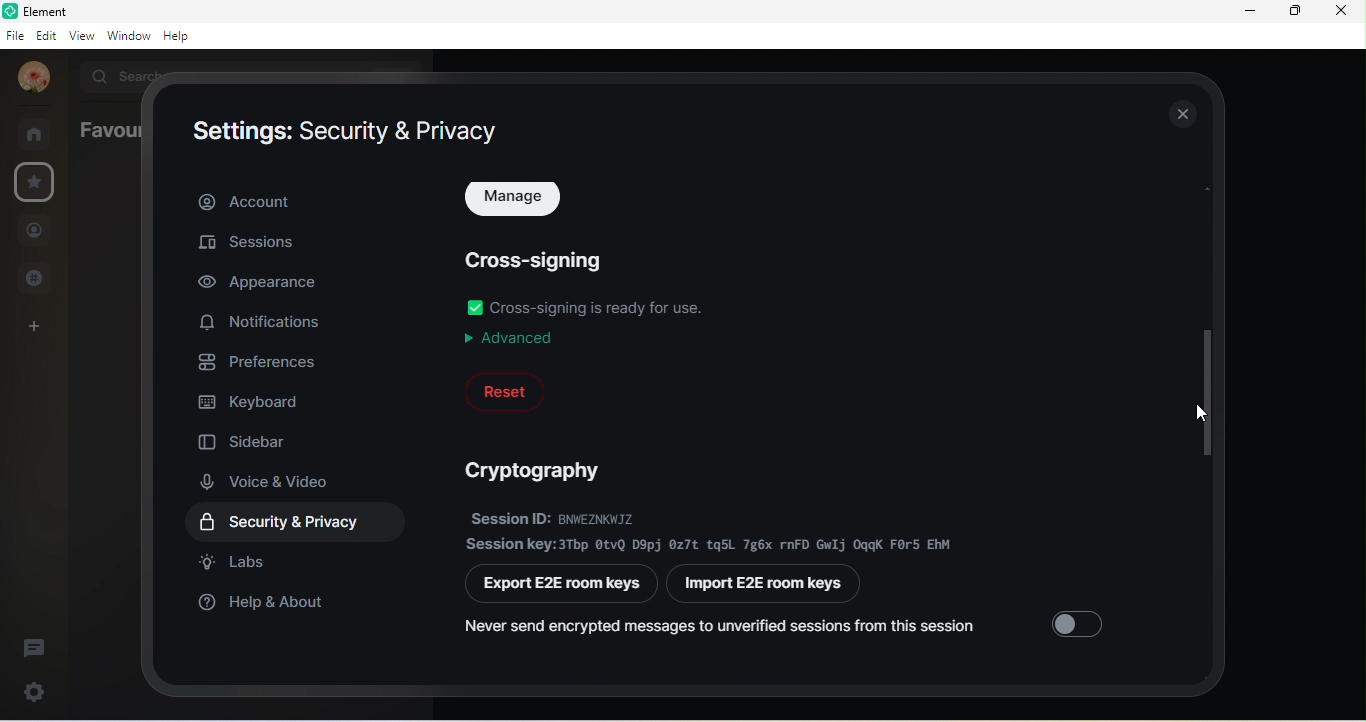 This screenshot has width=1366, height=722. What do you see at coordinates (9, 10) in the screenshot?
I see `element logo` at bounding box center [9, 10].